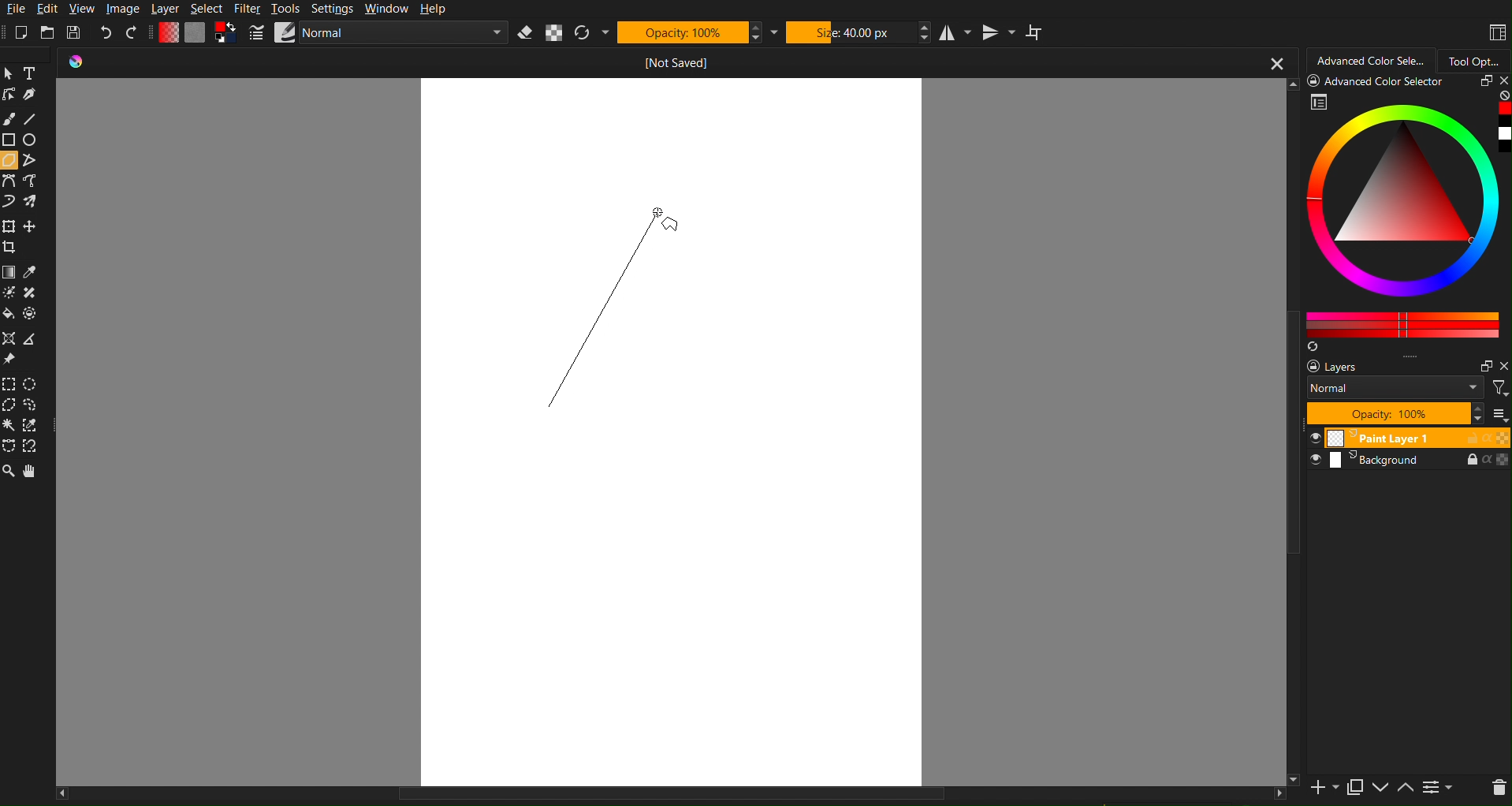 The image size is (1512, 806). What do you see at coordinates (999, 32) in the screenshot?
I see `Vertical Mirror` at bounding box center [999, 32].